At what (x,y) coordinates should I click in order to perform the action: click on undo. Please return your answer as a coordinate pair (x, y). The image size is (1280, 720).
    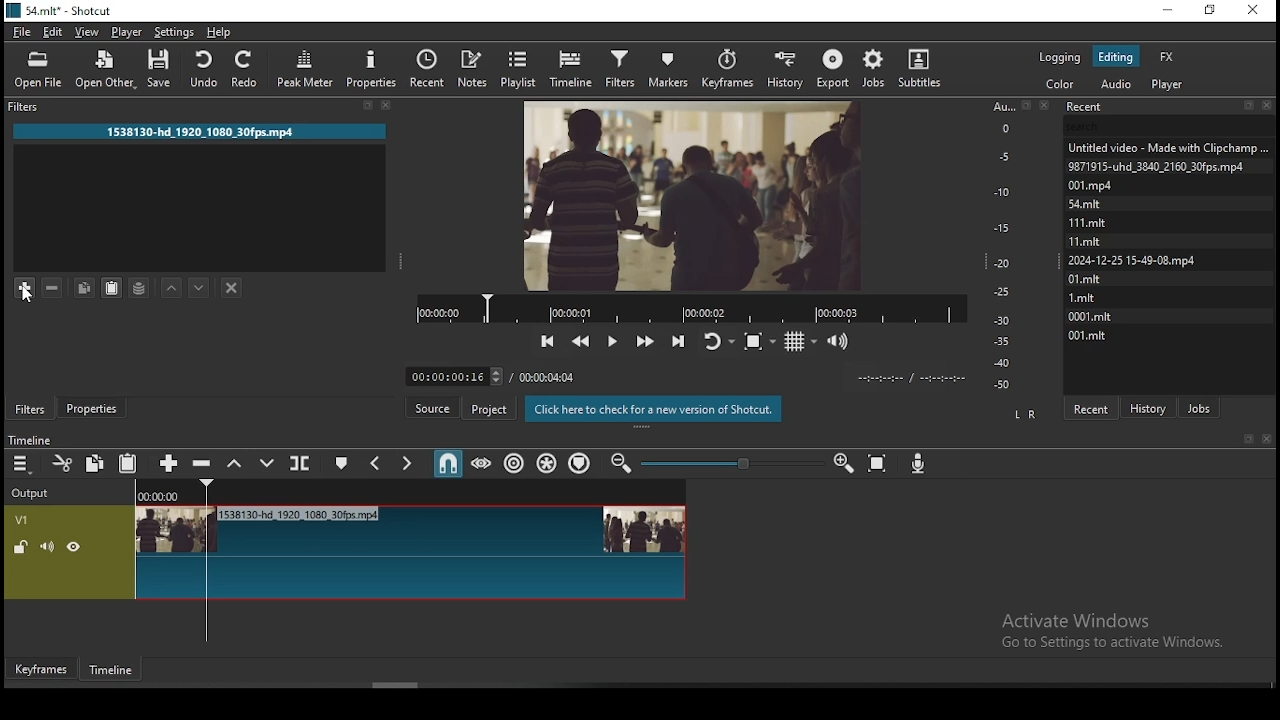
    Looking at the image, I should click on (206, 68).